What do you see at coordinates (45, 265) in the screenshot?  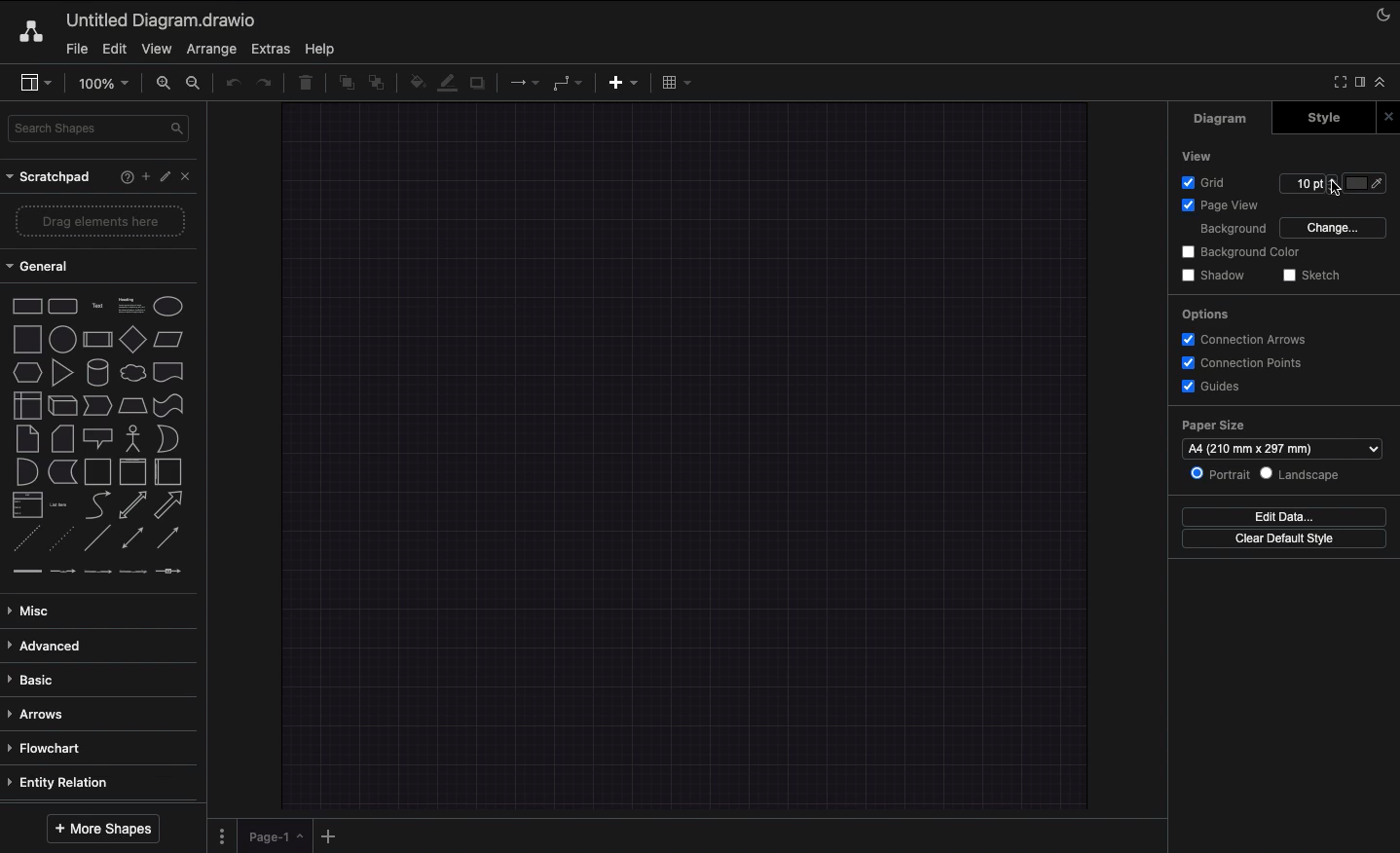 I see `General` at bounding box center [45, 265].